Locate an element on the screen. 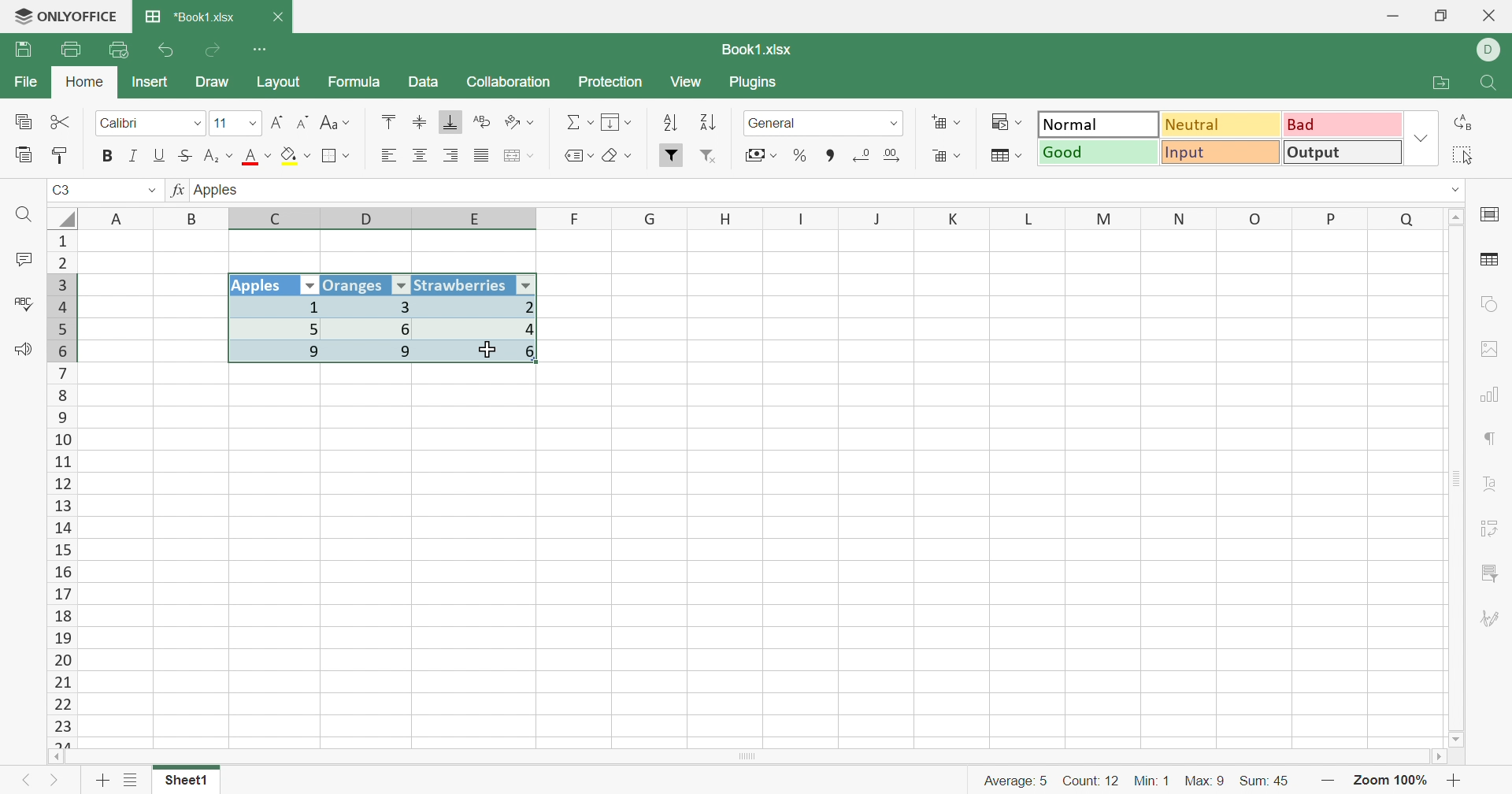  Paragraph settings is located at coordinates (1492, 441).